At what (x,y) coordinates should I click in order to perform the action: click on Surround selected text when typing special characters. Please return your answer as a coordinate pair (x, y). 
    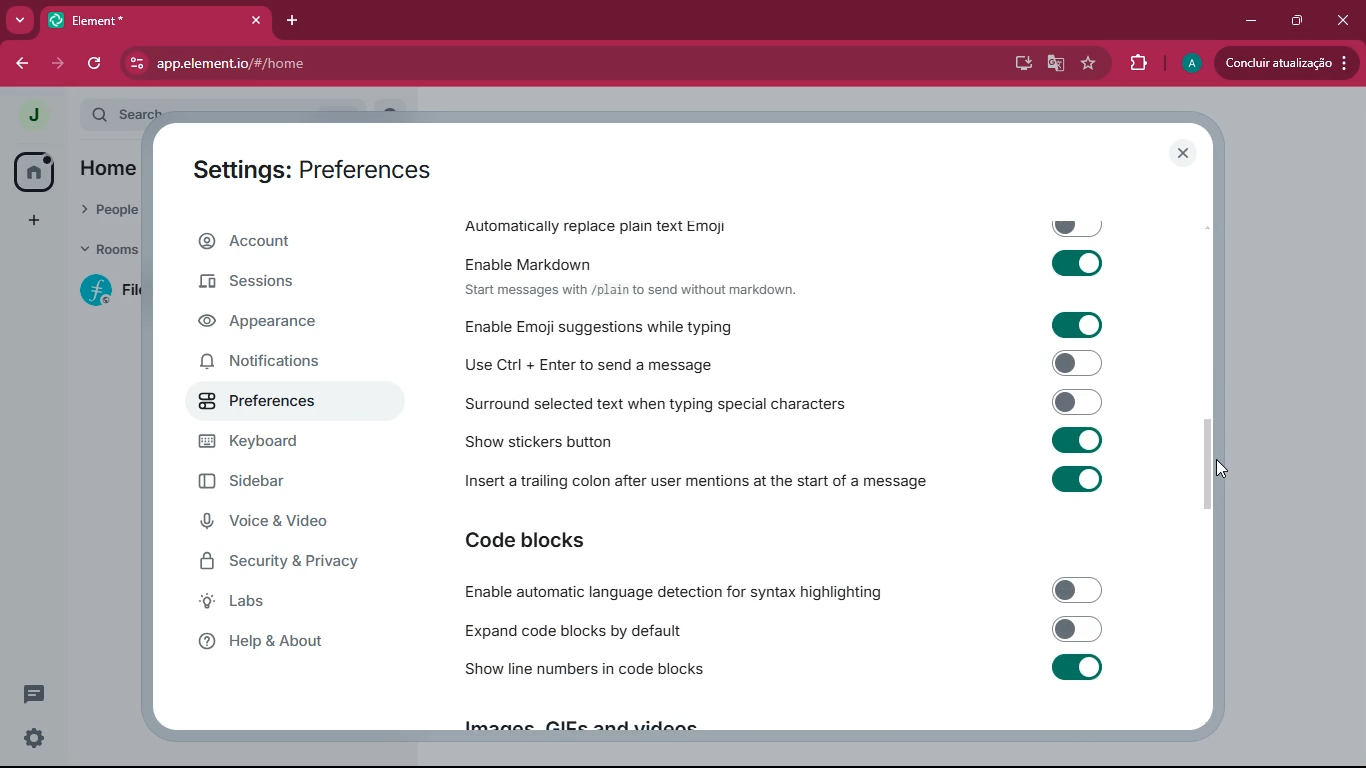
    Looking at the image, I should click on (787, 402).